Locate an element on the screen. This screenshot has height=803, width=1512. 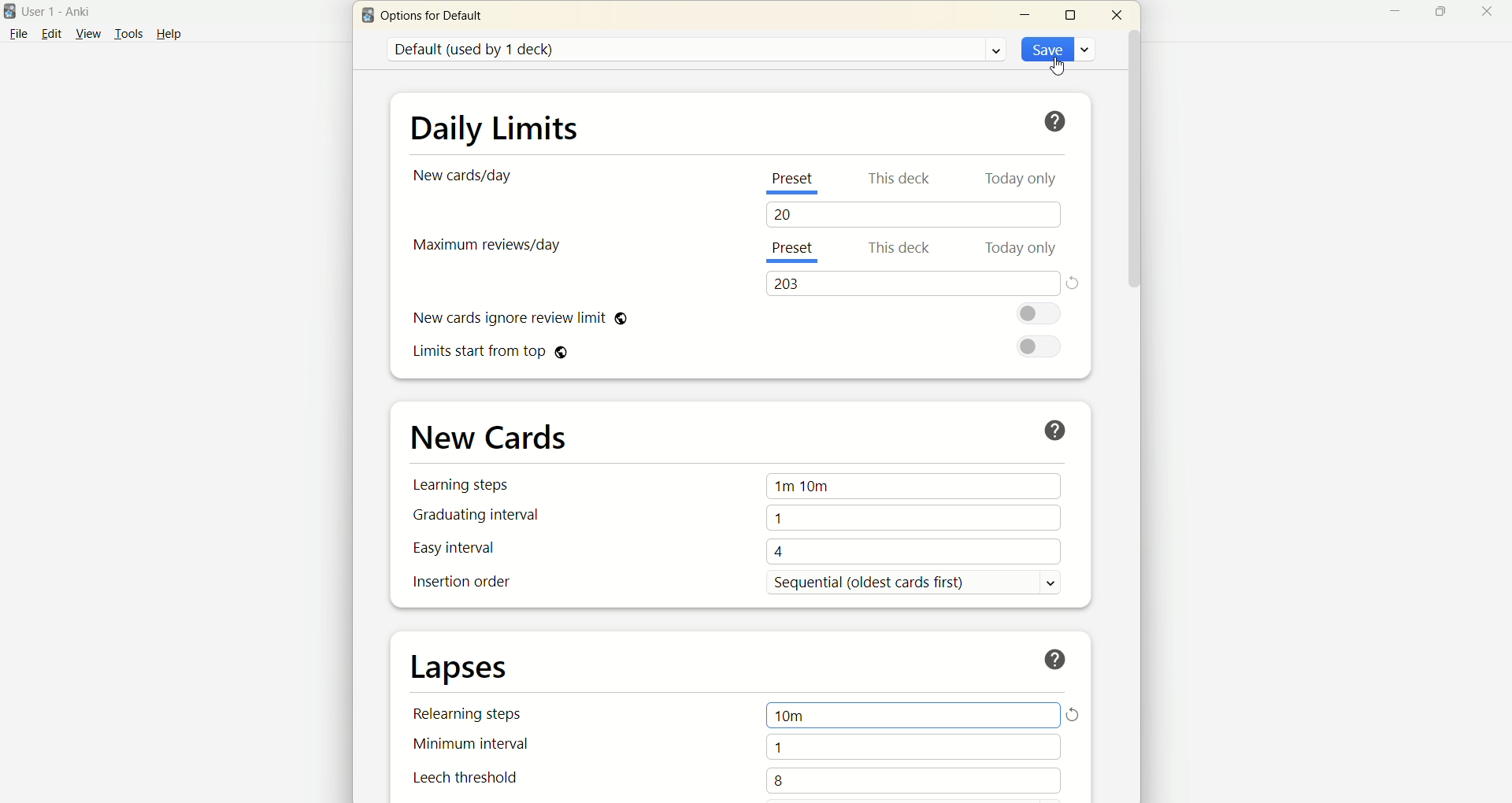
logo is located at coordinates (365, 17).